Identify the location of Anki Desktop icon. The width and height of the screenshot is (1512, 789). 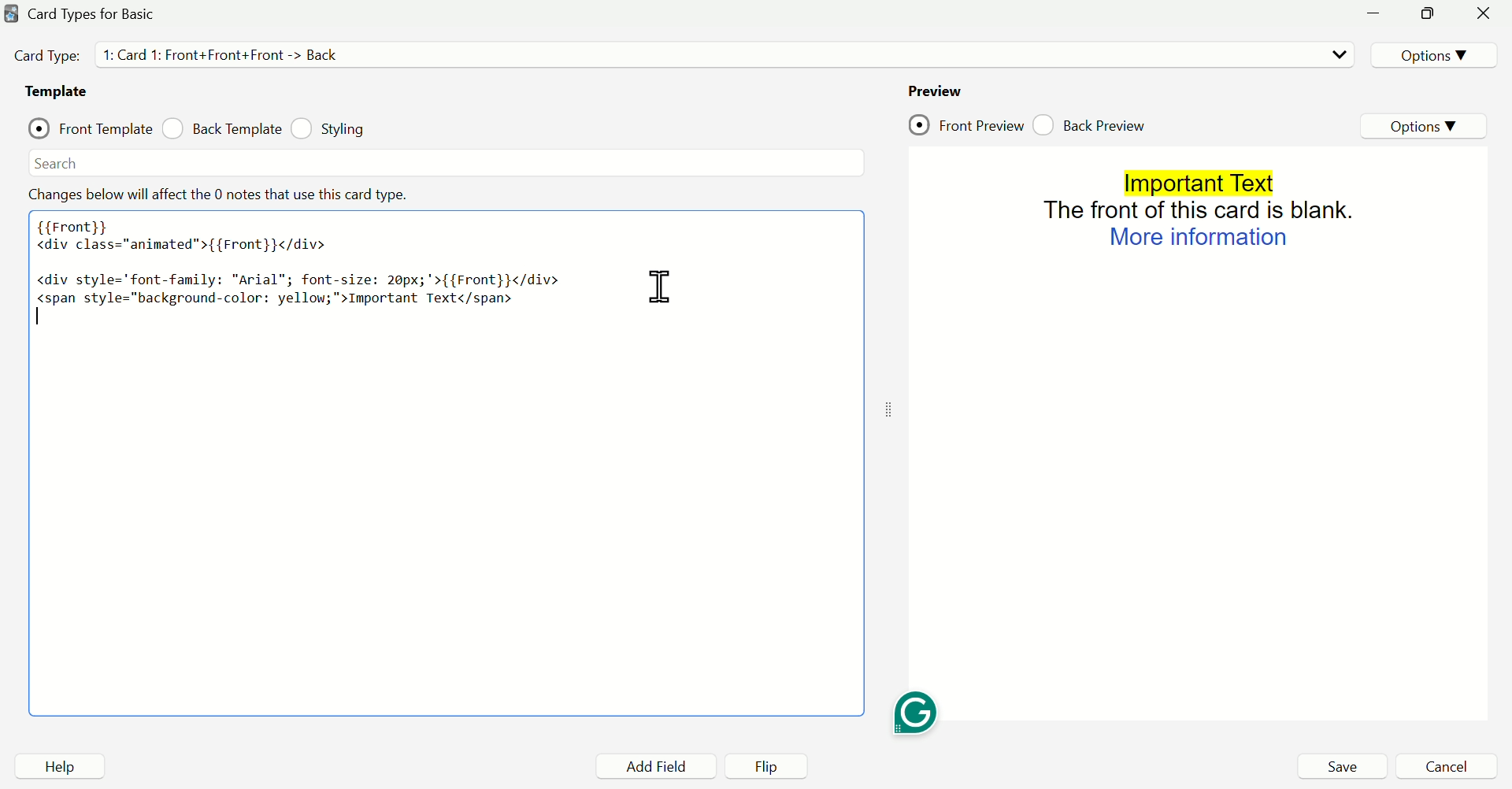
(12, 13).